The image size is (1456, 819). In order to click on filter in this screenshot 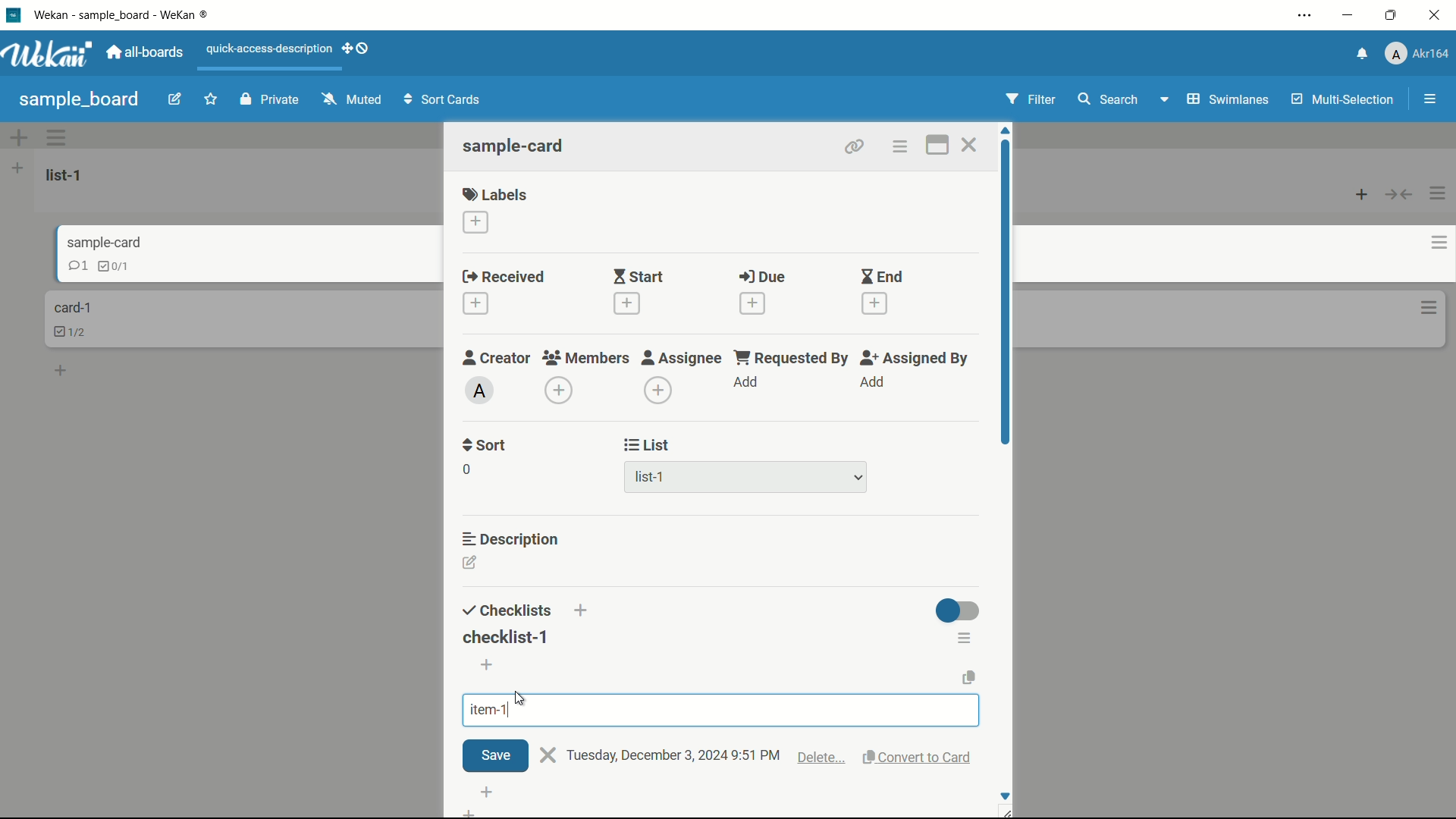, I will do `click(1031, 99)`.